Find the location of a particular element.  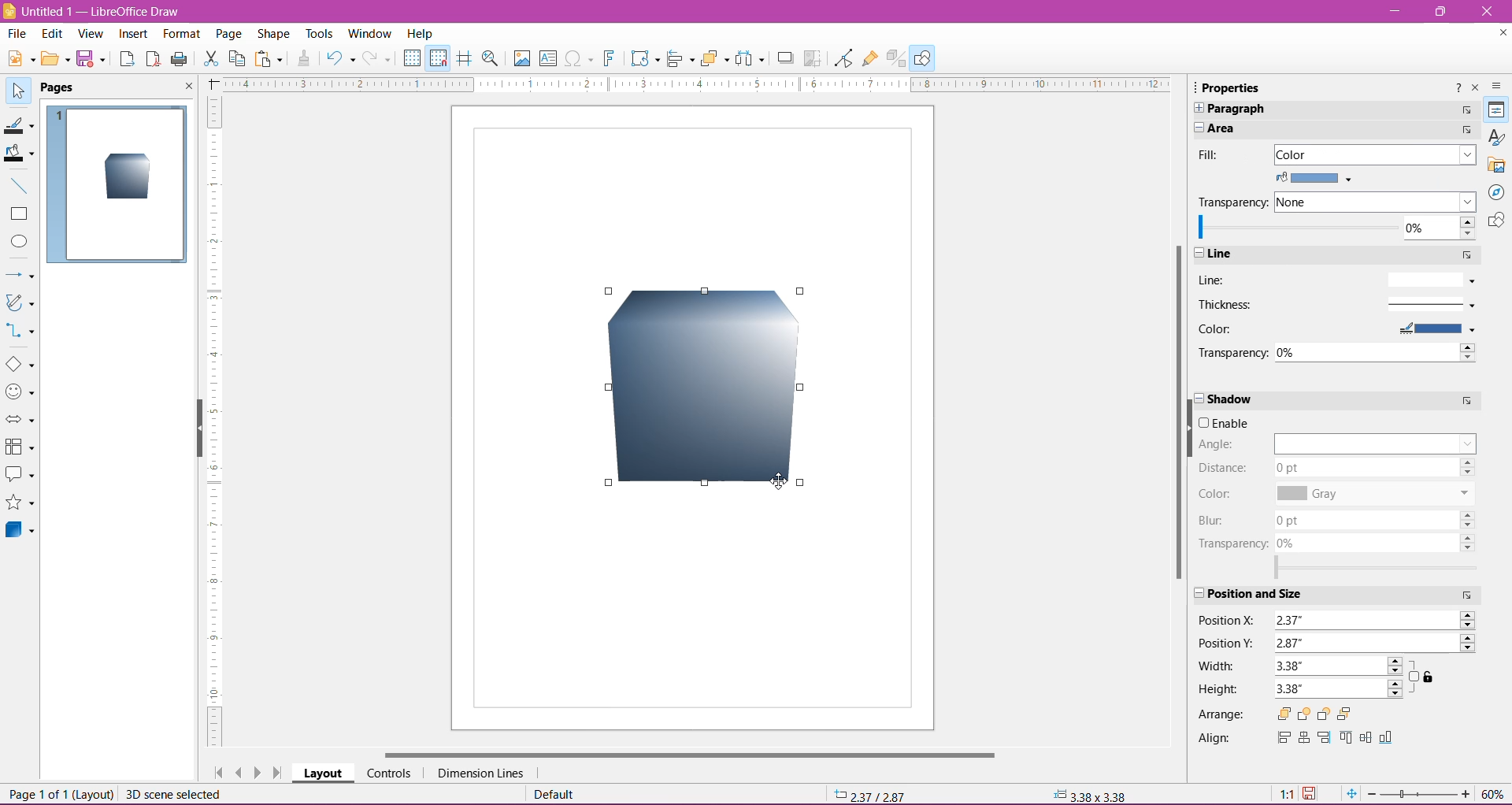

Ruler is located at coordinates (691, 84).